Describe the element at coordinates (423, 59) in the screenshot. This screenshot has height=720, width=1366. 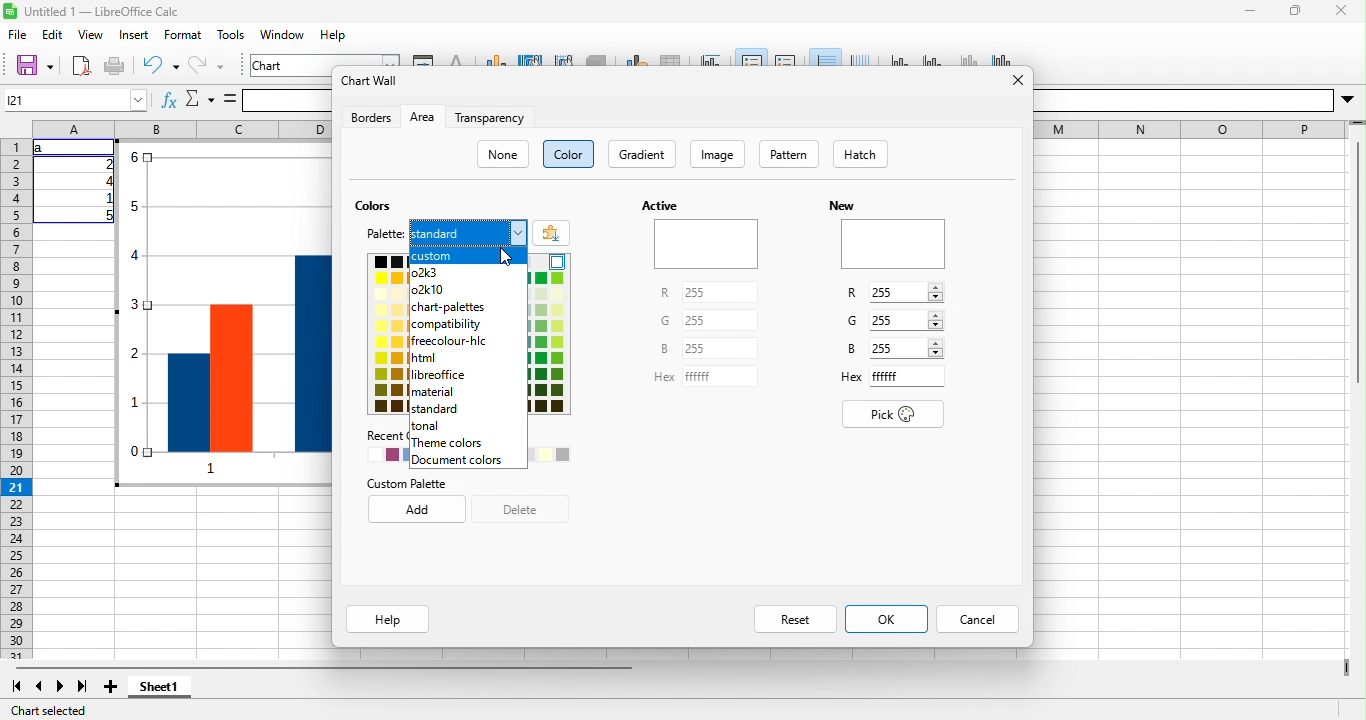
I see `format selection` at that location.